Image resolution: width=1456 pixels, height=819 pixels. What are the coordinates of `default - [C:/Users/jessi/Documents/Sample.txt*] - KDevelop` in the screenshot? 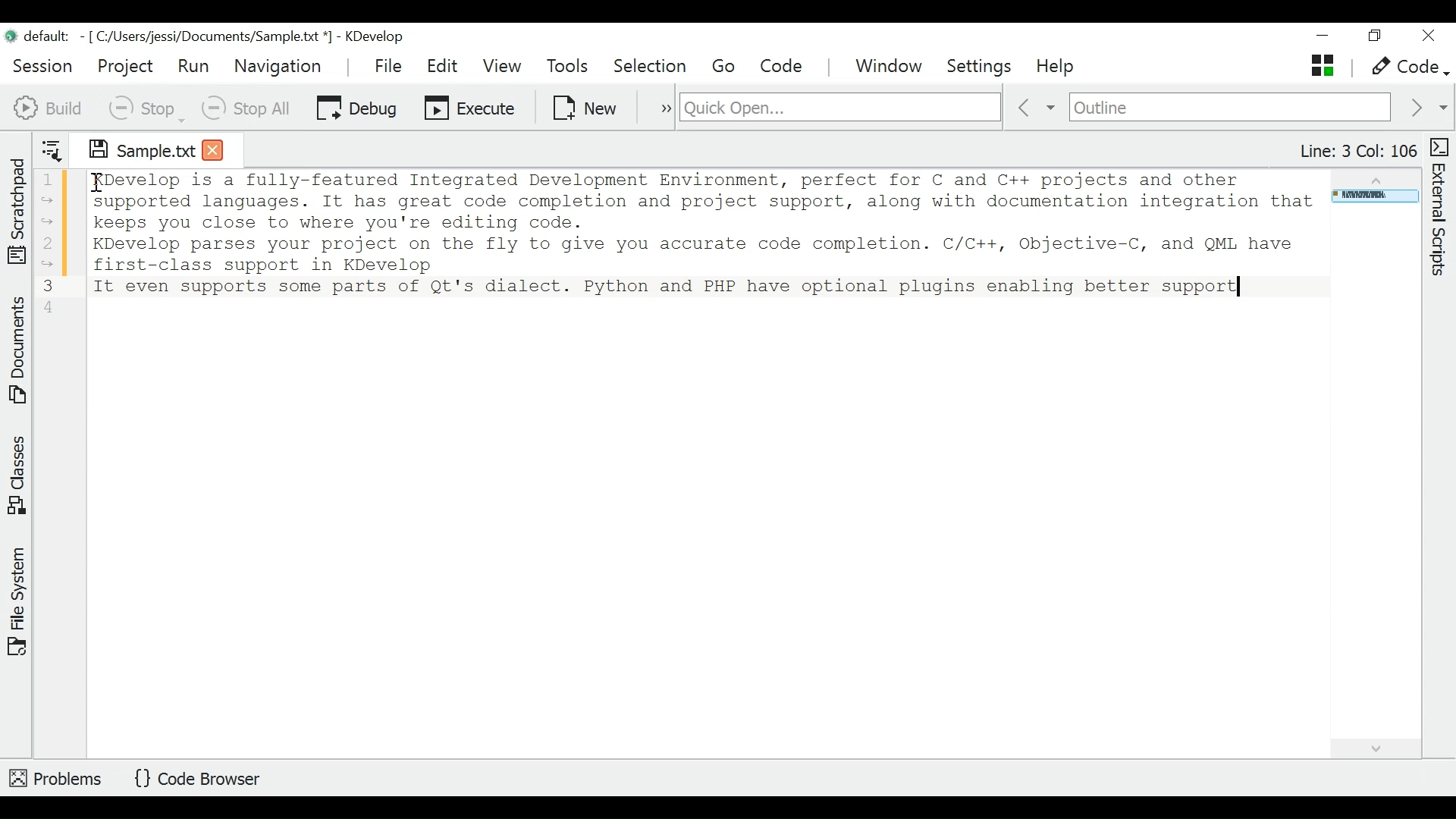 It's located at (211, 39).